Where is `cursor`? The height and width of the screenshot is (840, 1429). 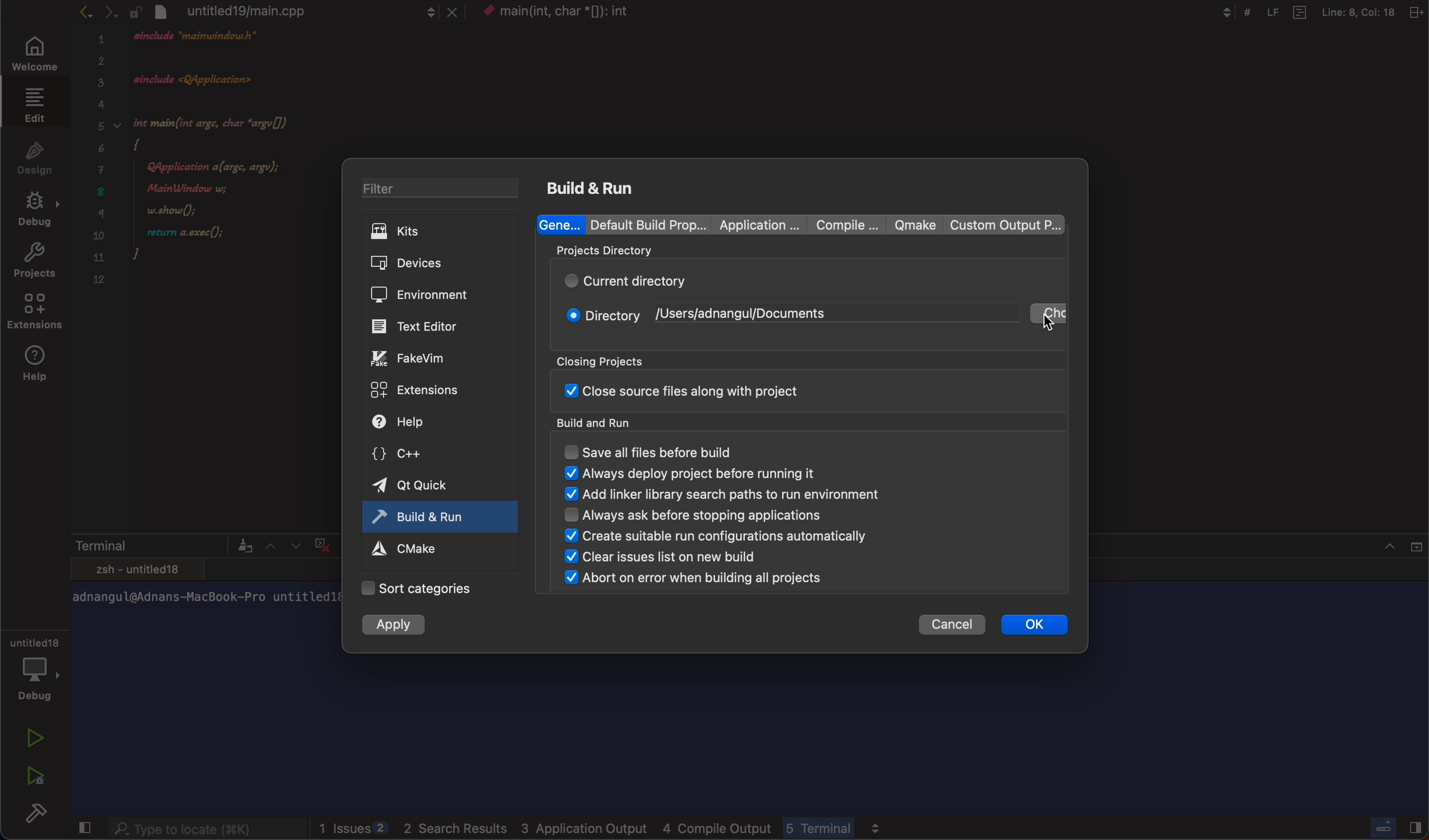
cursor is located at coordinates (1043, 323).